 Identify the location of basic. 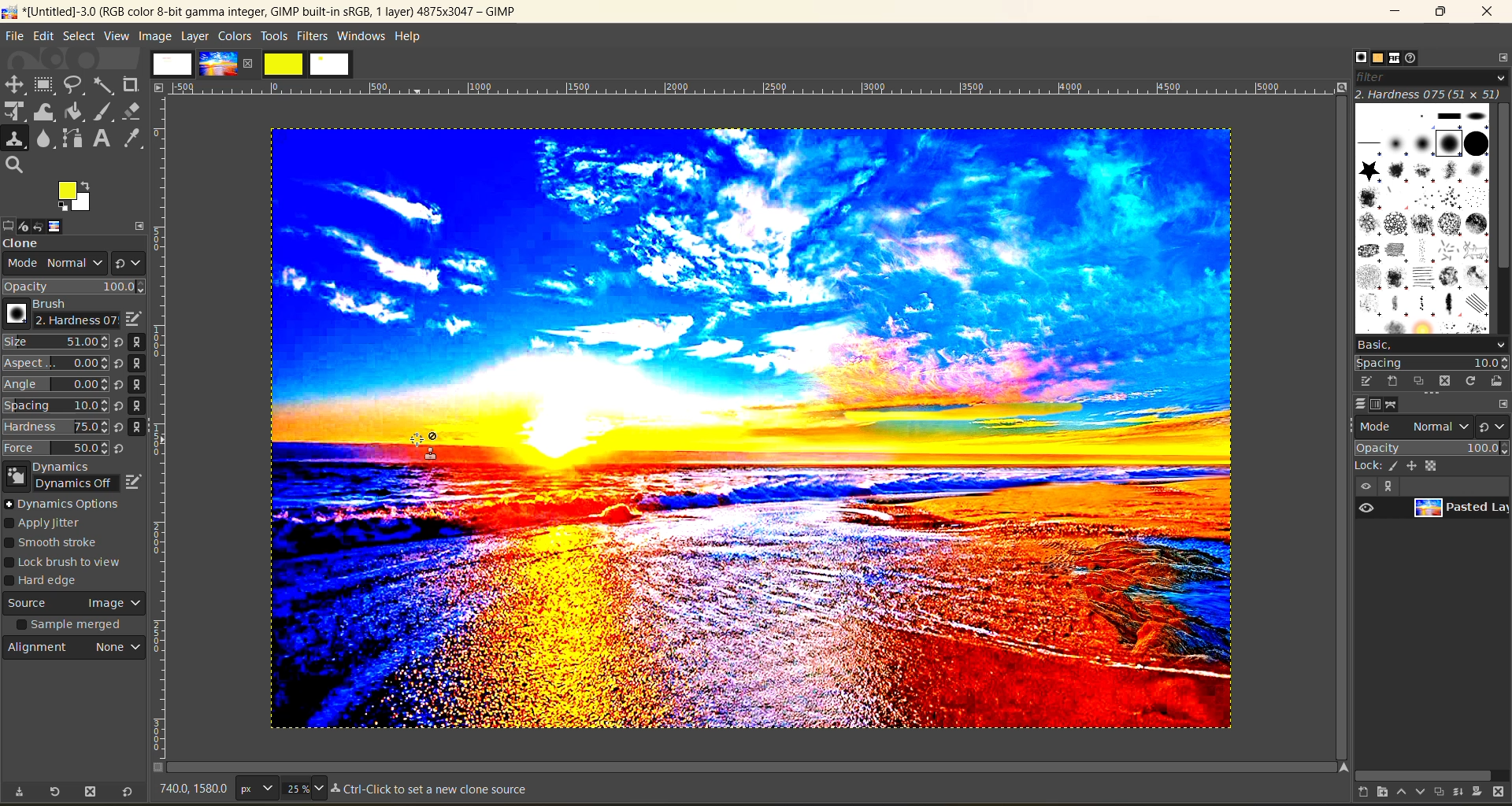
(1430, 344).